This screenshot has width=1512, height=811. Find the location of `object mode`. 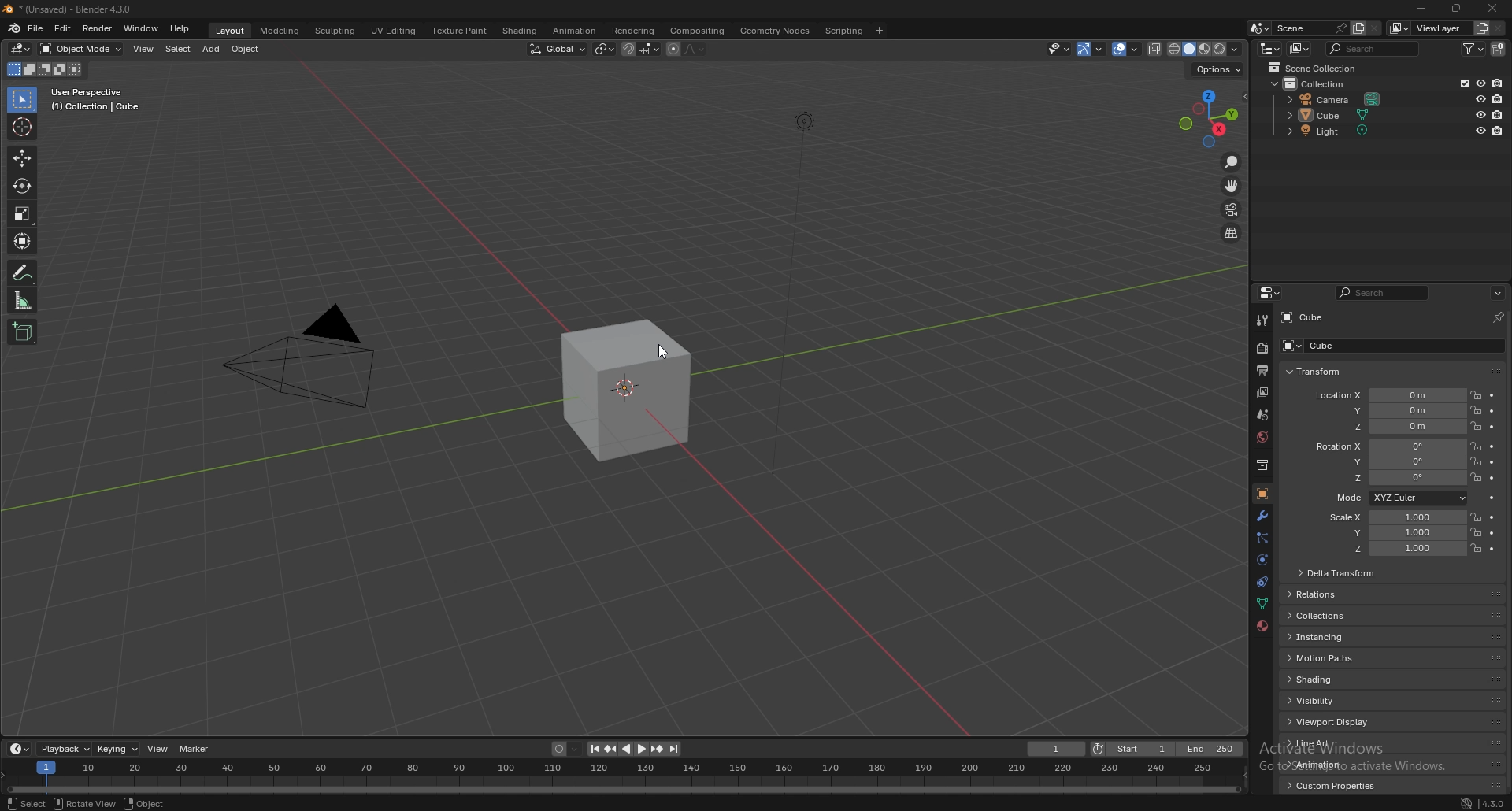

object mode is located at coordinates (81, 49).